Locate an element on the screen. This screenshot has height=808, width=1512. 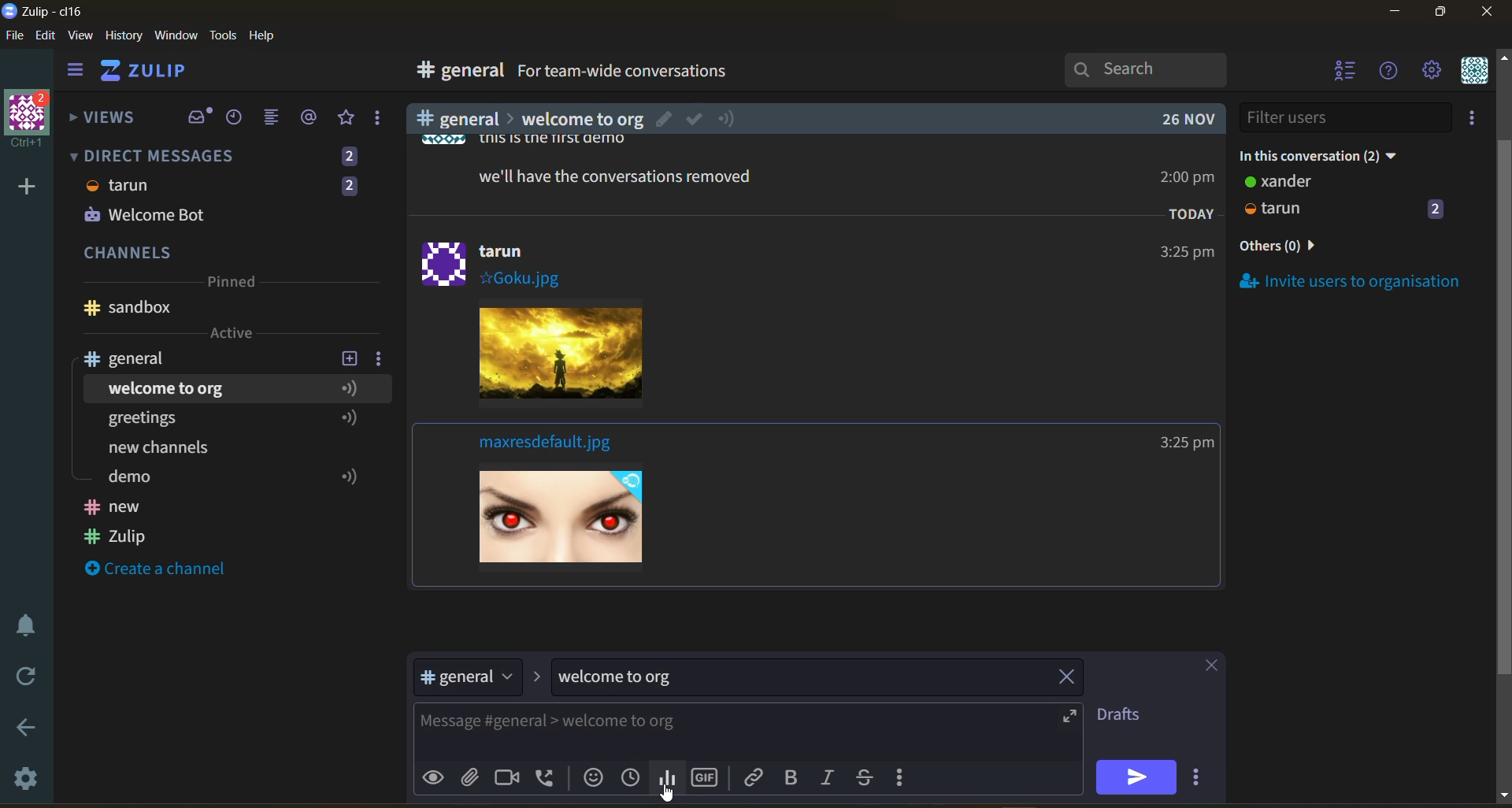
history is located at coordinates (124, 39).